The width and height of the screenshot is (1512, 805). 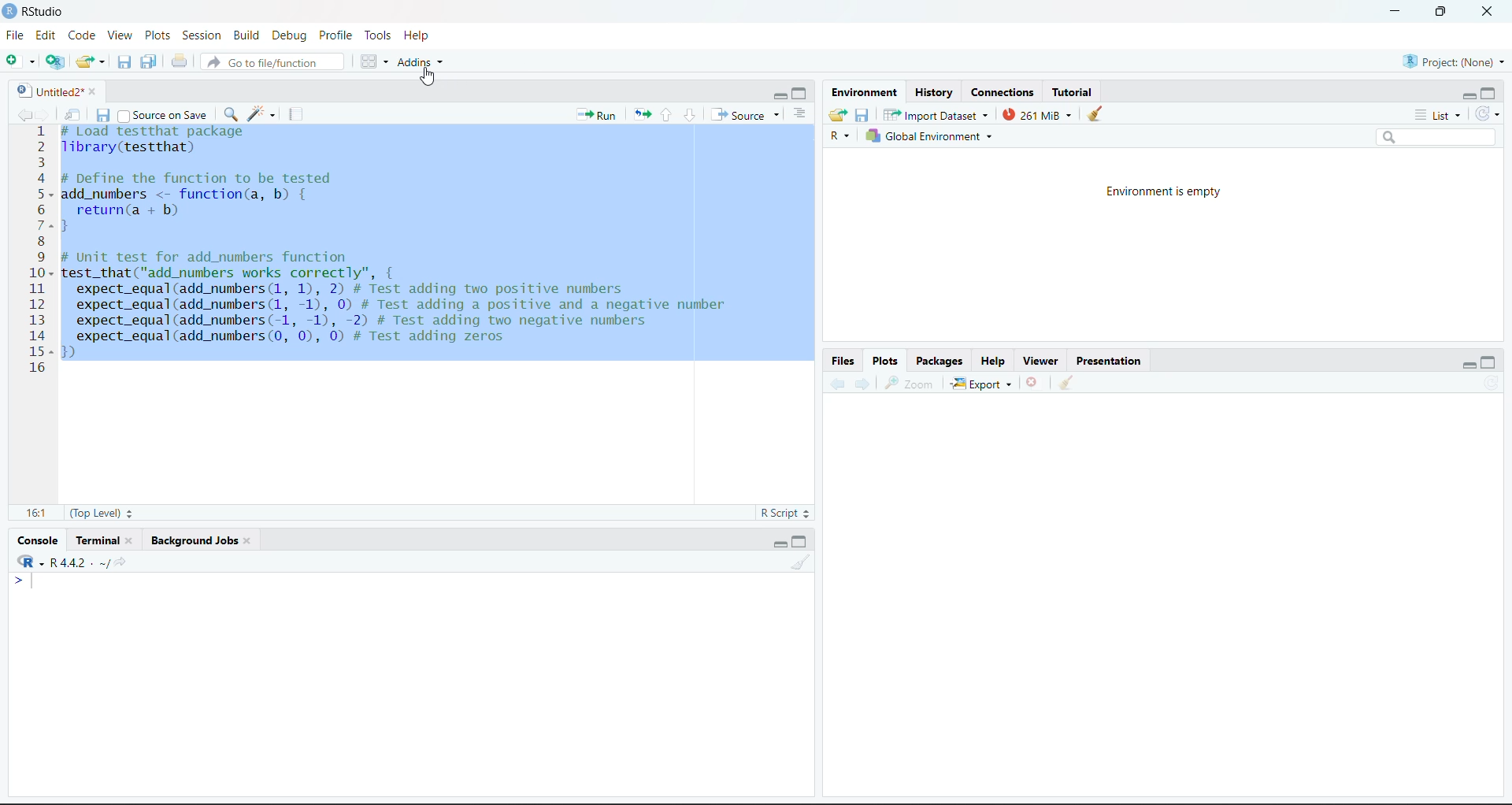 What do you see at coordinates (1066, 382) in the screenshot?
I see `Clear workspace` at bounding box center [1066, 382].